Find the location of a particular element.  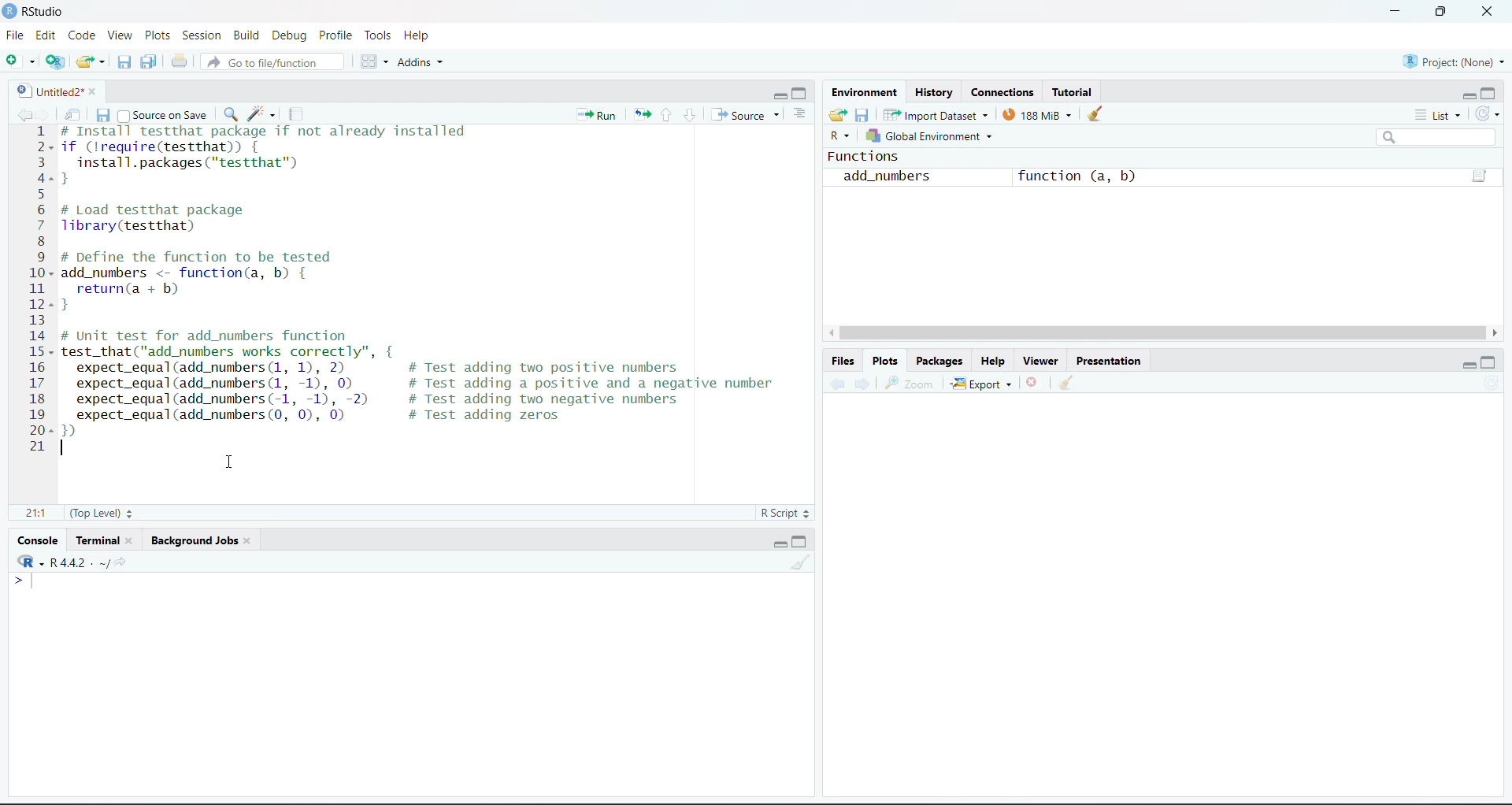

zoom is located at coordinates (911, 382).